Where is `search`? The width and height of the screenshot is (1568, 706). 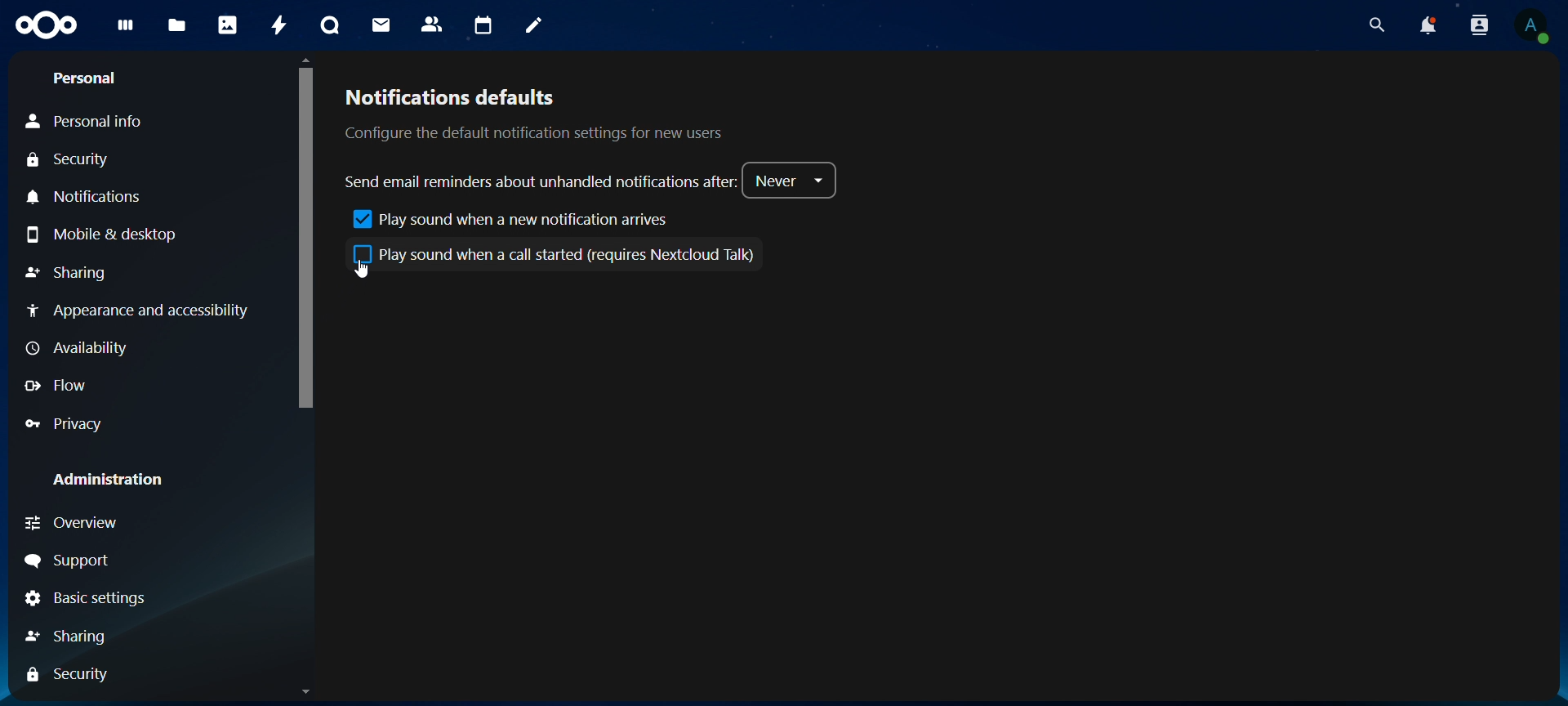 search is located at coordinates (1379, 25).